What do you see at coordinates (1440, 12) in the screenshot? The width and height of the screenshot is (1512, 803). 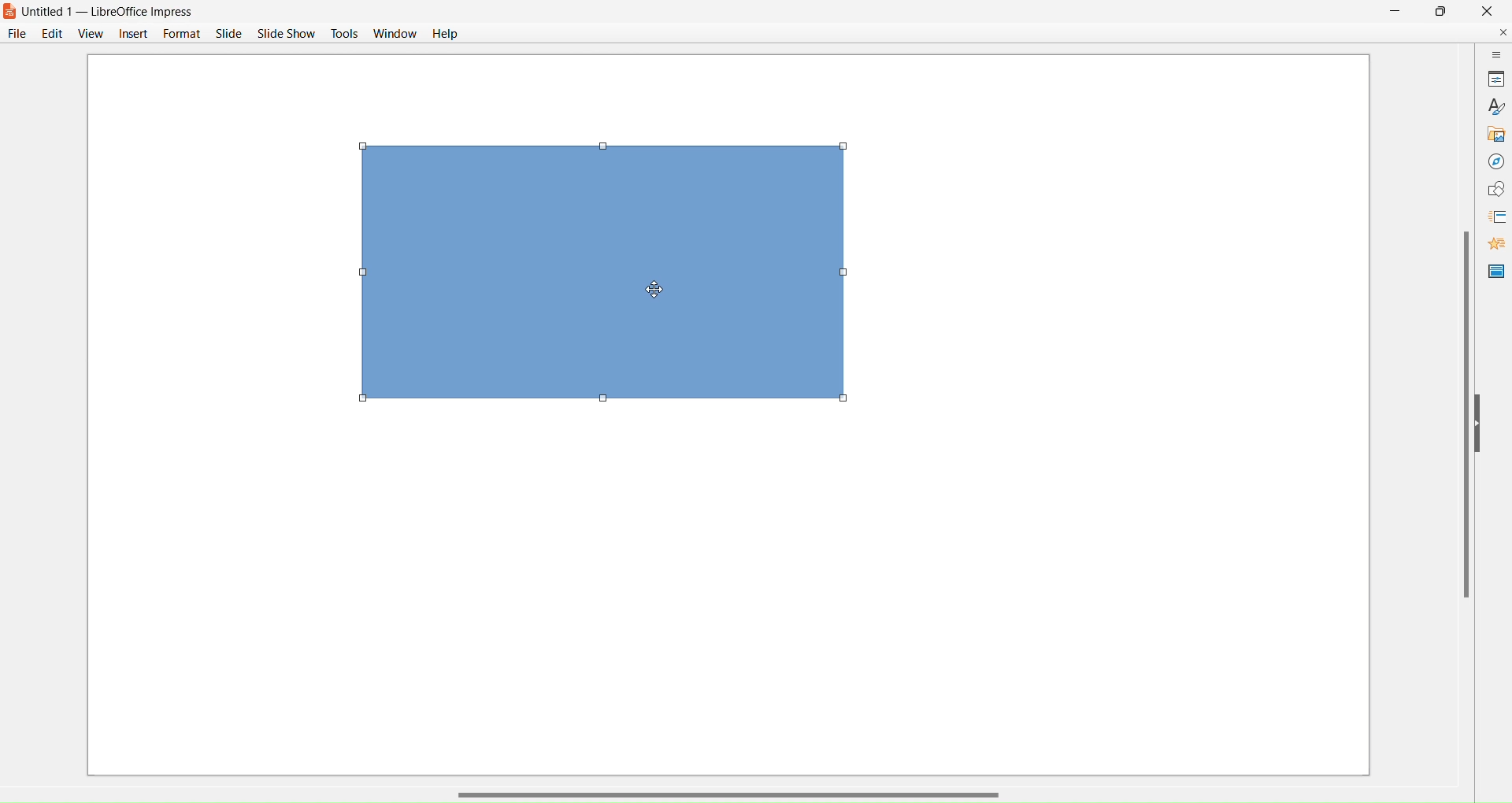 I see `Maximize` at bounding box center [1440, 12].